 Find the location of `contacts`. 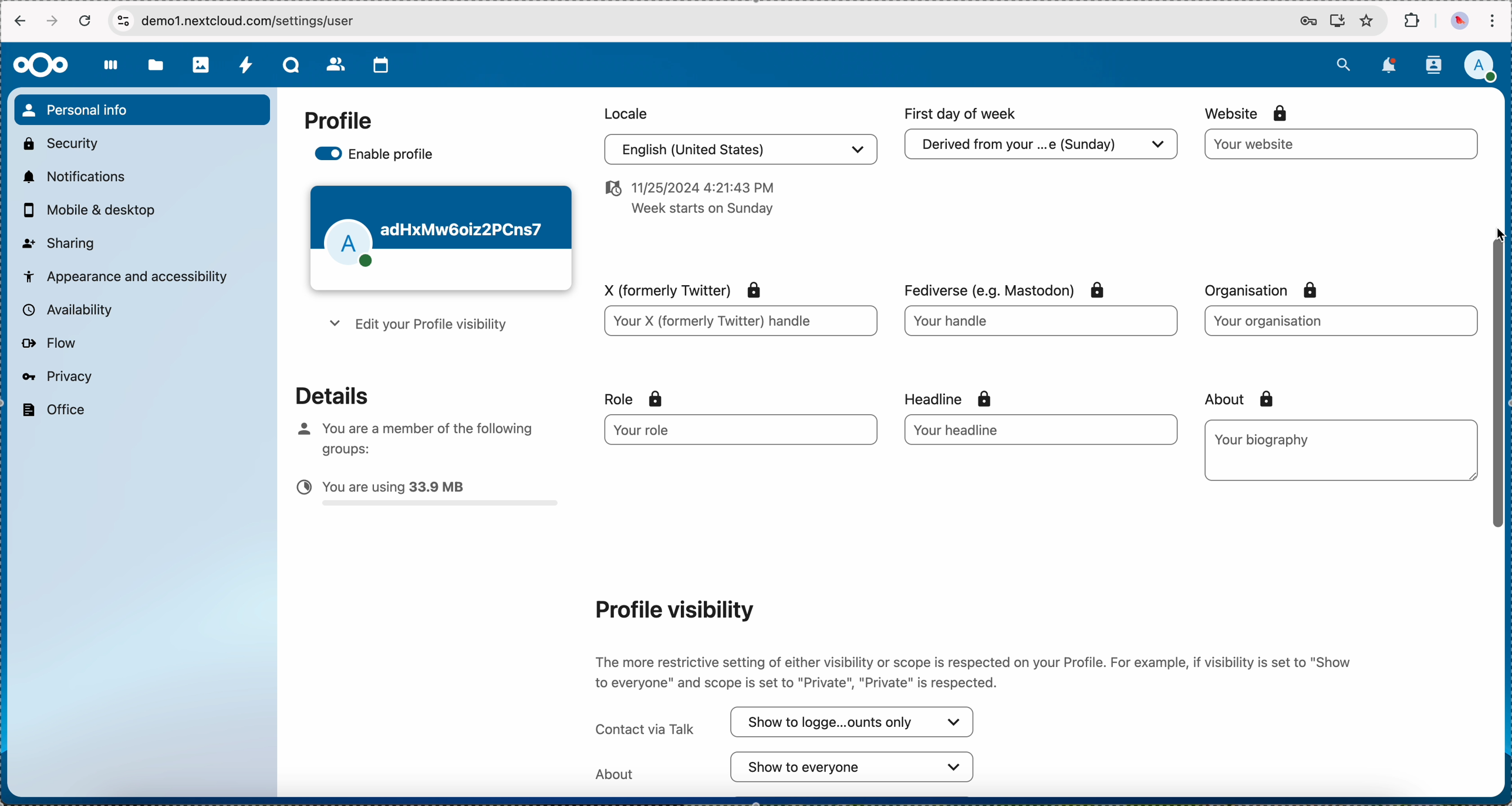

contacts is located at coordinates (1433, 65).